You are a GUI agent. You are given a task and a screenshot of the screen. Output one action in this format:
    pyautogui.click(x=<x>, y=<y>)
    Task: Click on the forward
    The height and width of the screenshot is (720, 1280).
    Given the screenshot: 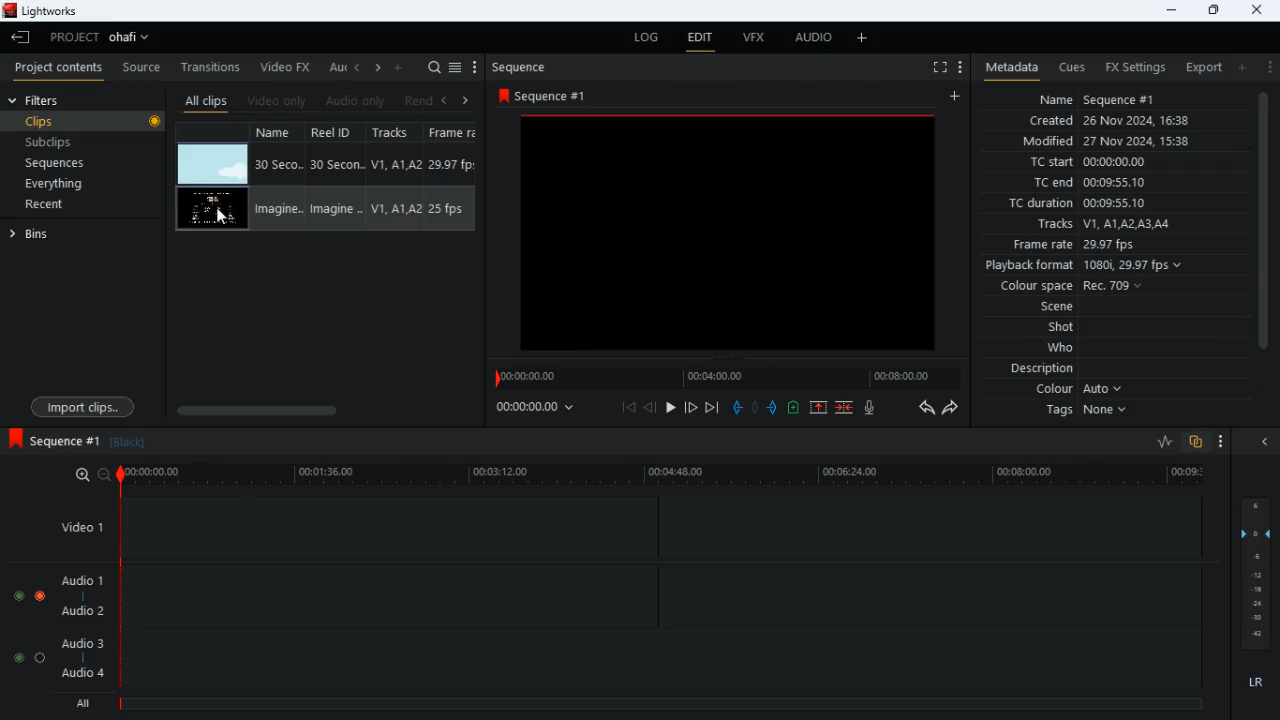 What is the action you would take?
    pyautogui.click(x=689, y=407)
    